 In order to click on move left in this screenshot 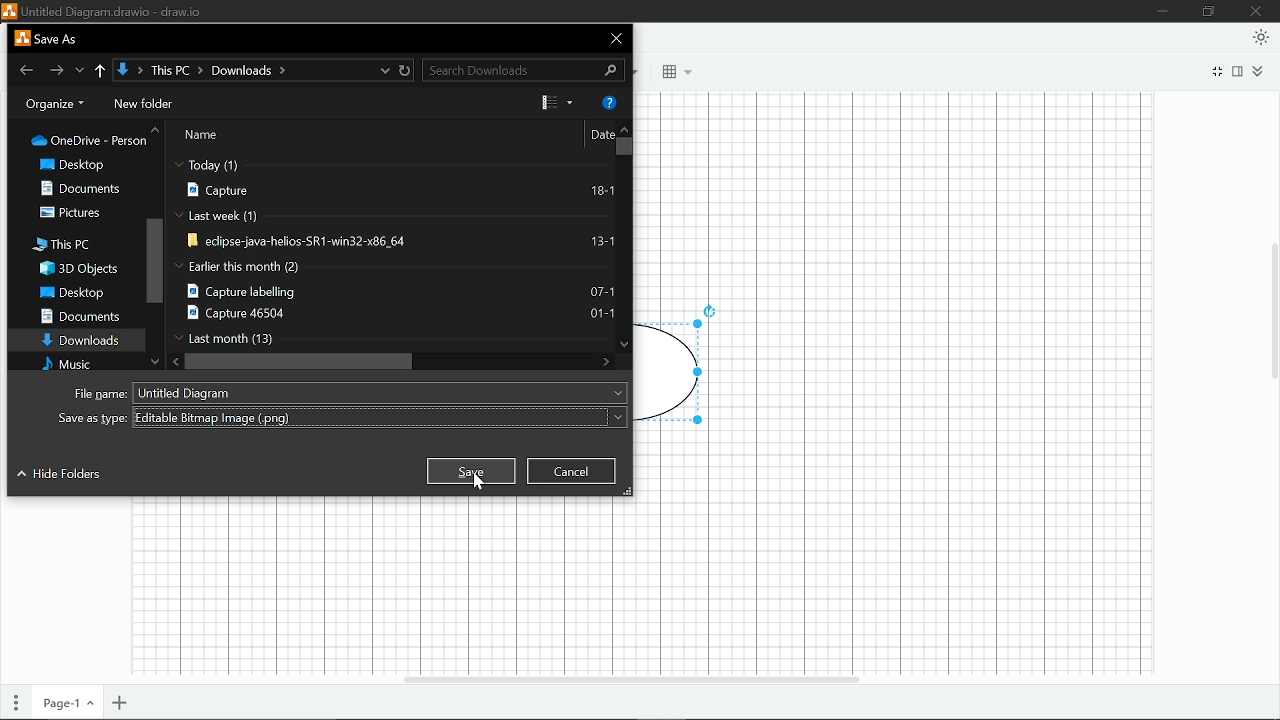, I will do `click(176, 361)`.